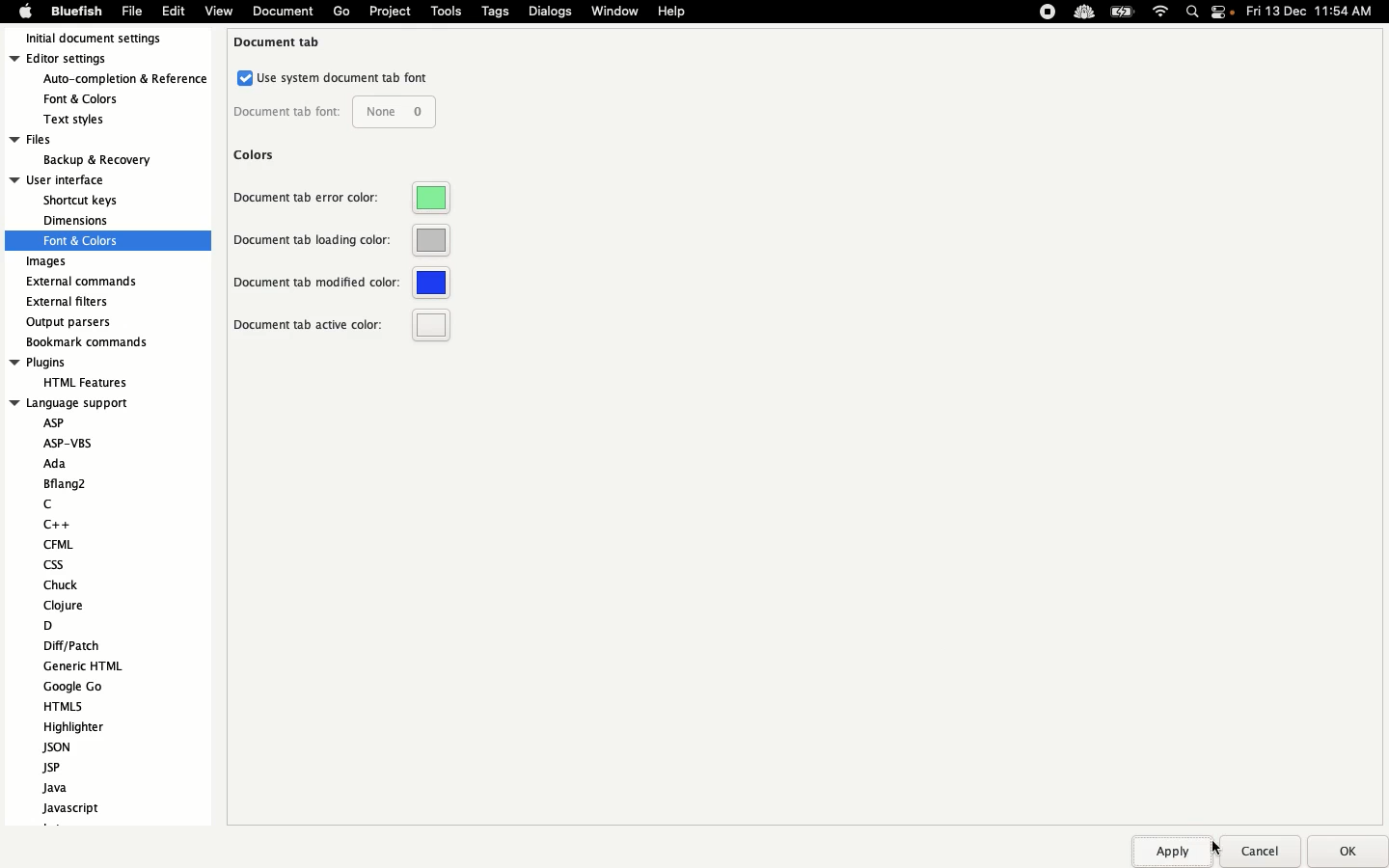 This screenshot has width=1389, height=868. Describe the element at coordinates (218, 14) in the screenshot. I see `view` at that location.